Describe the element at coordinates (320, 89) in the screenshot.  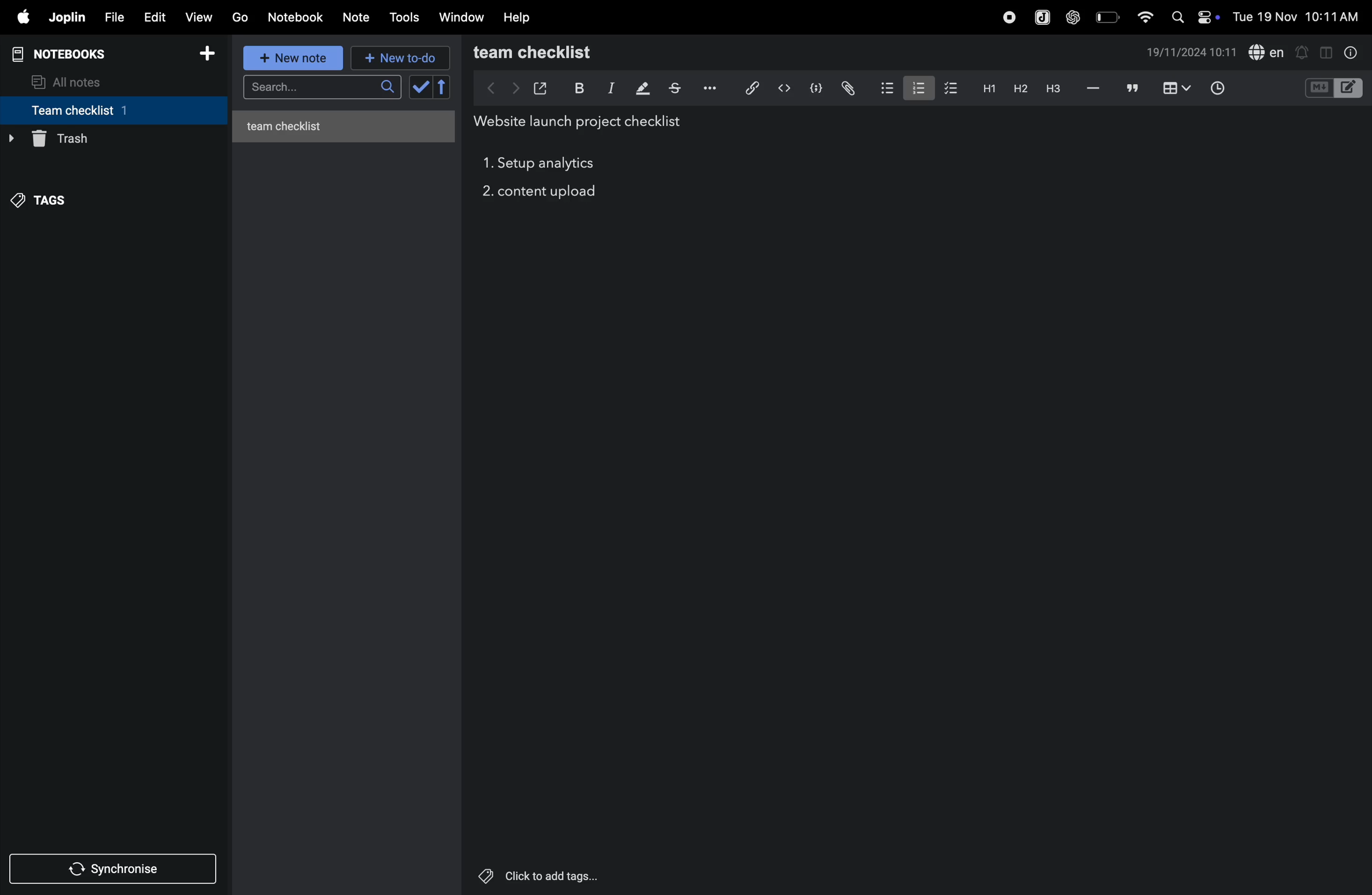
I see `search ` at that location.